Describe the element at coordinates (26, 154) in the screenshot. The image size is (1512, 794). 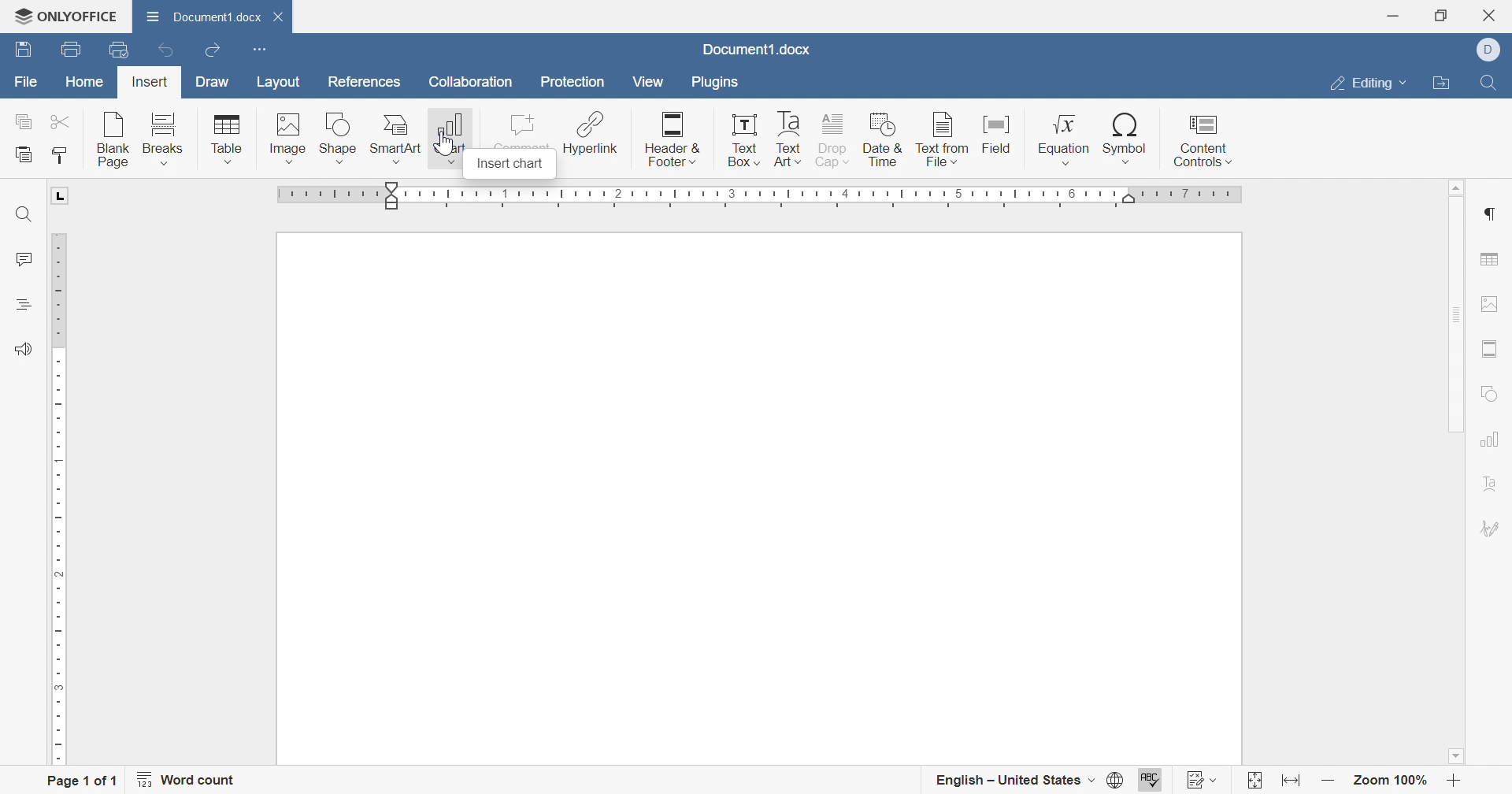
I see `Paste` at that location.